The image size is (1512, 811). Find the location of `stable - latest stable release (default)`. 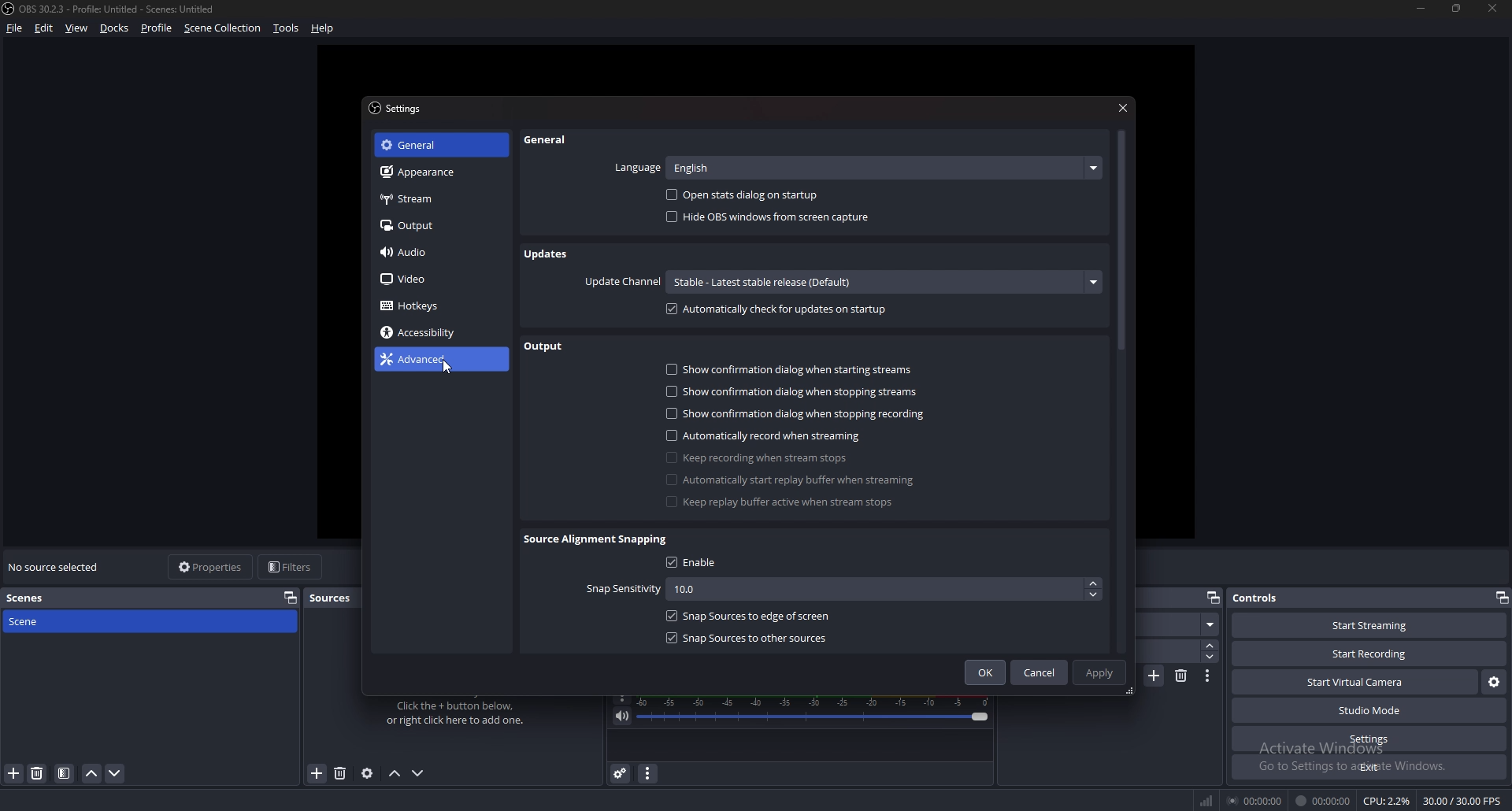

stable - latest stable release (default) is located at coordinates (881, 281).